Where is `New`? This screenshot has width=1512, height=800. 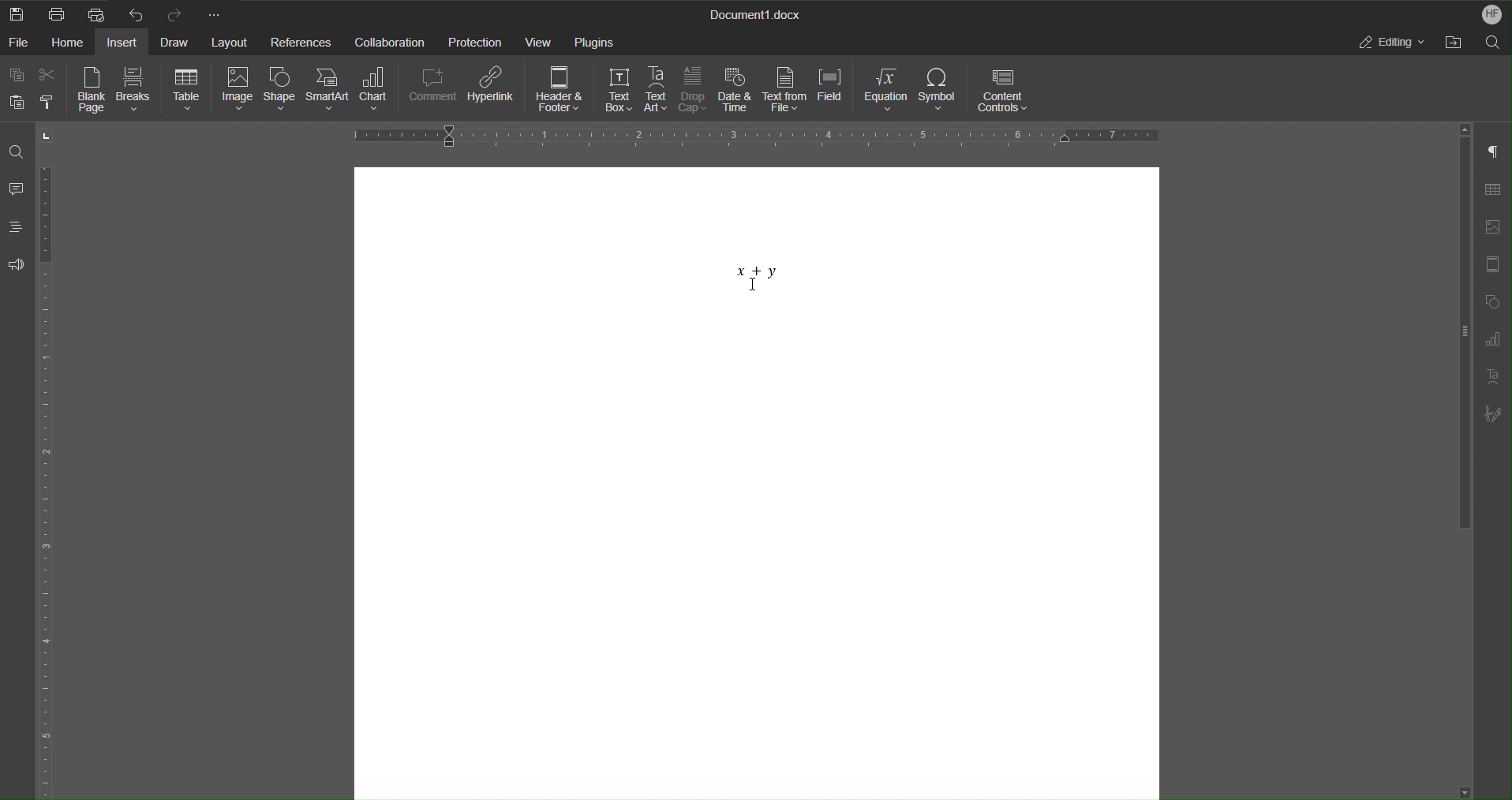 New is located at coordinates (16, 15).